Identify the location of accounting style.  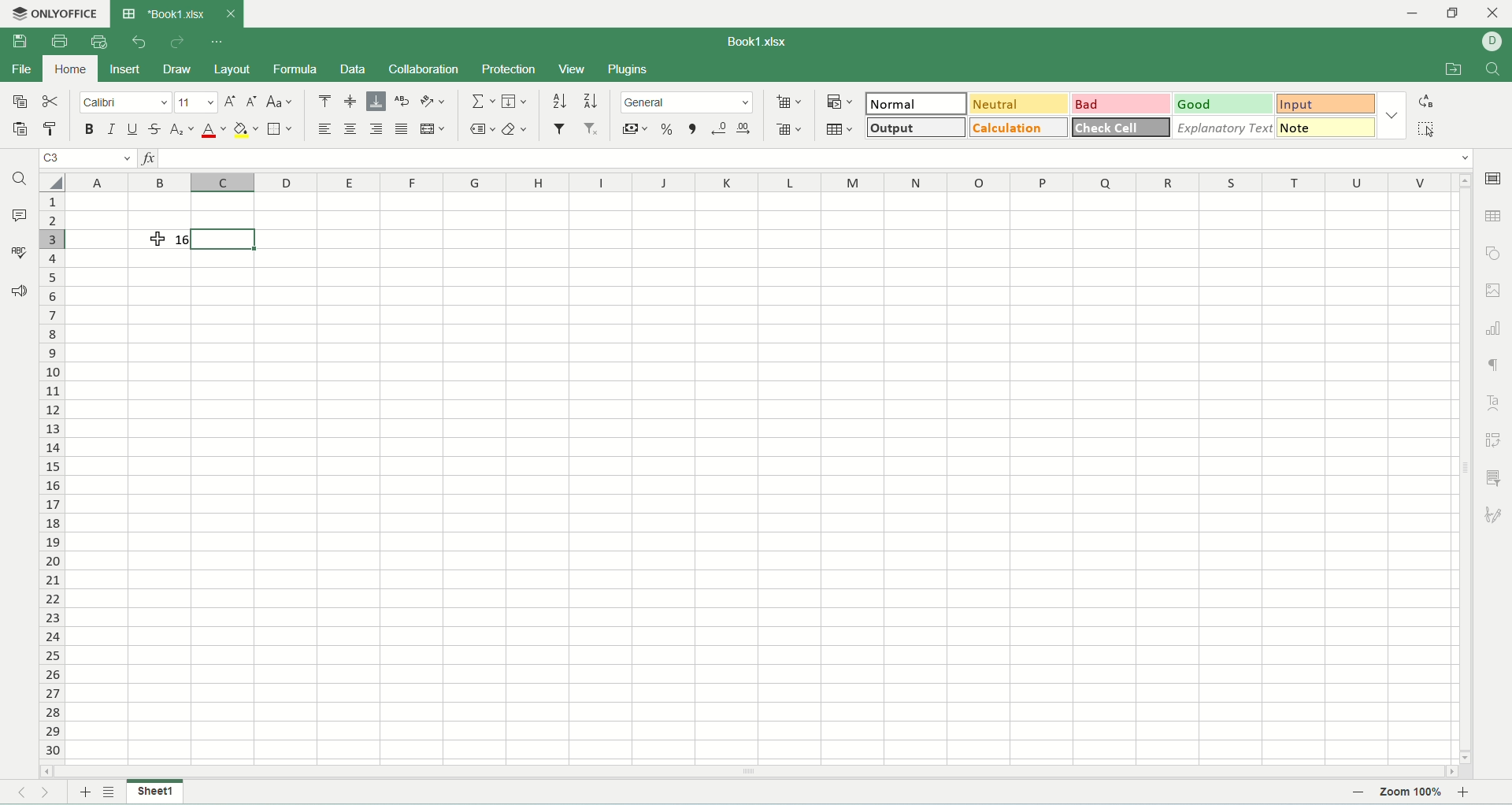
(636, 129).